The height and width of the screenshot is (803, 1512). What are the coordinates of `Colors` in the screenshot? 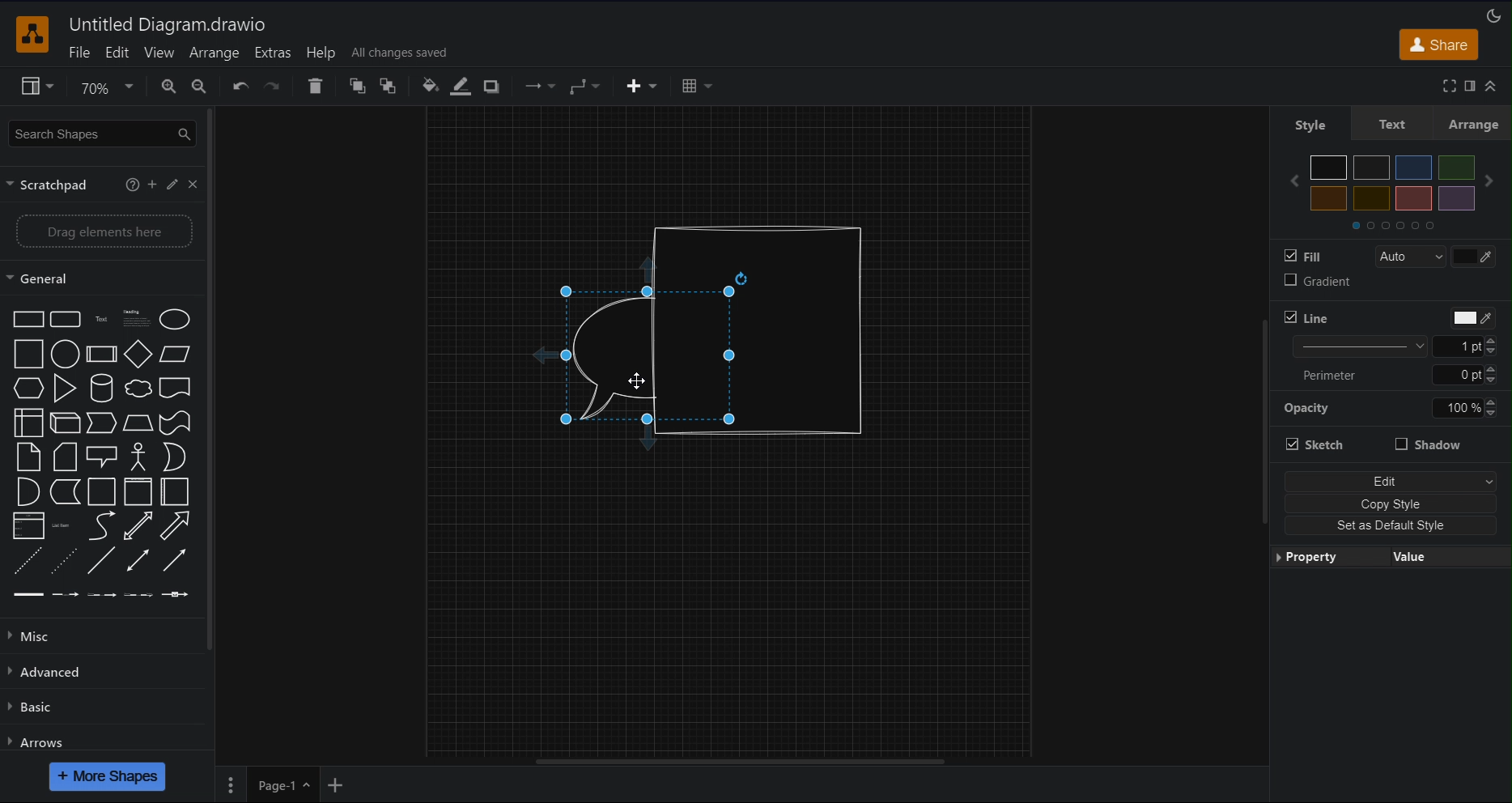 It's located at (1393, 183).